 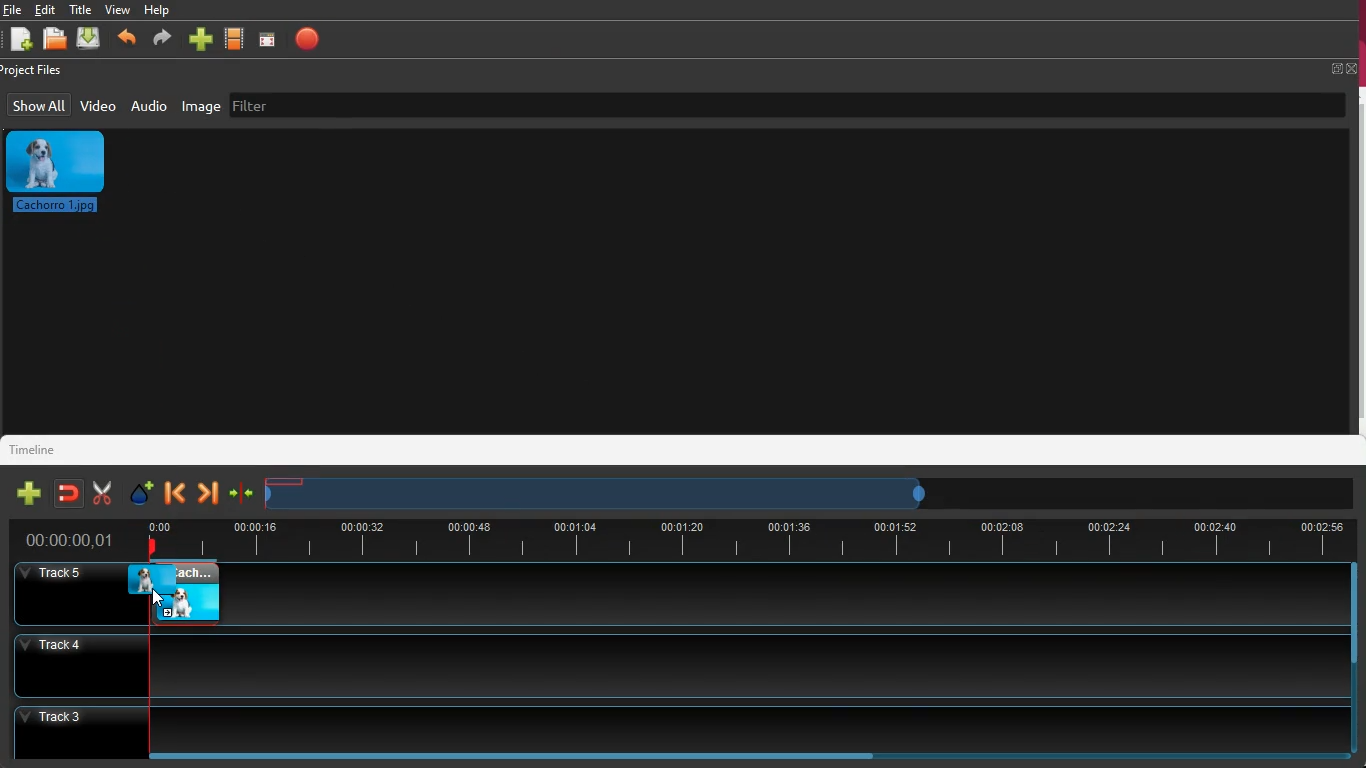 What do you see at coordinates (70, 538) in the screenshot?
I see `time` at bounding box center [70, 538].